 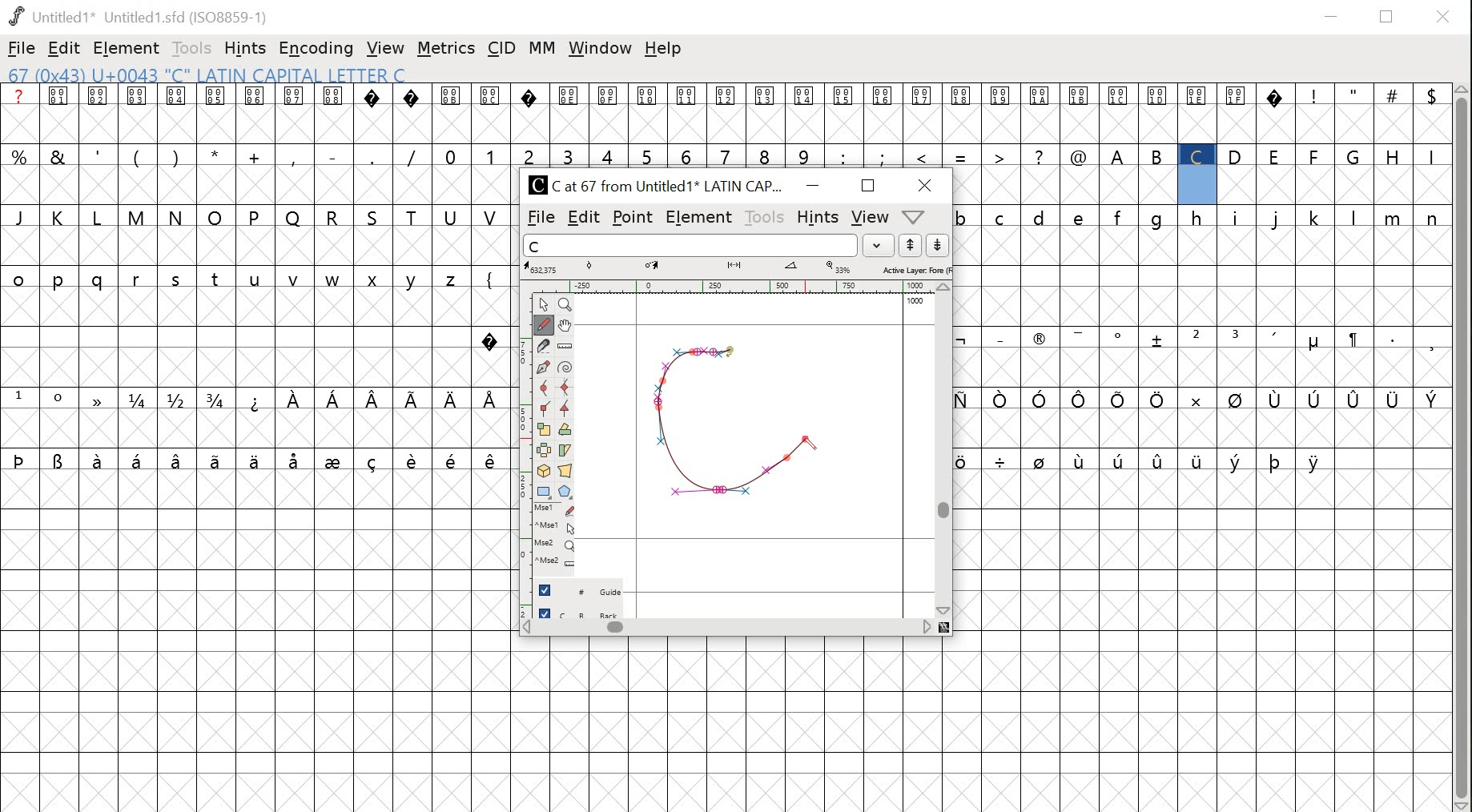 What do you see at coordinates (810, 450) in the screenshot?
I see `drawing pen/cursor position` at bounding box center [810, 450].